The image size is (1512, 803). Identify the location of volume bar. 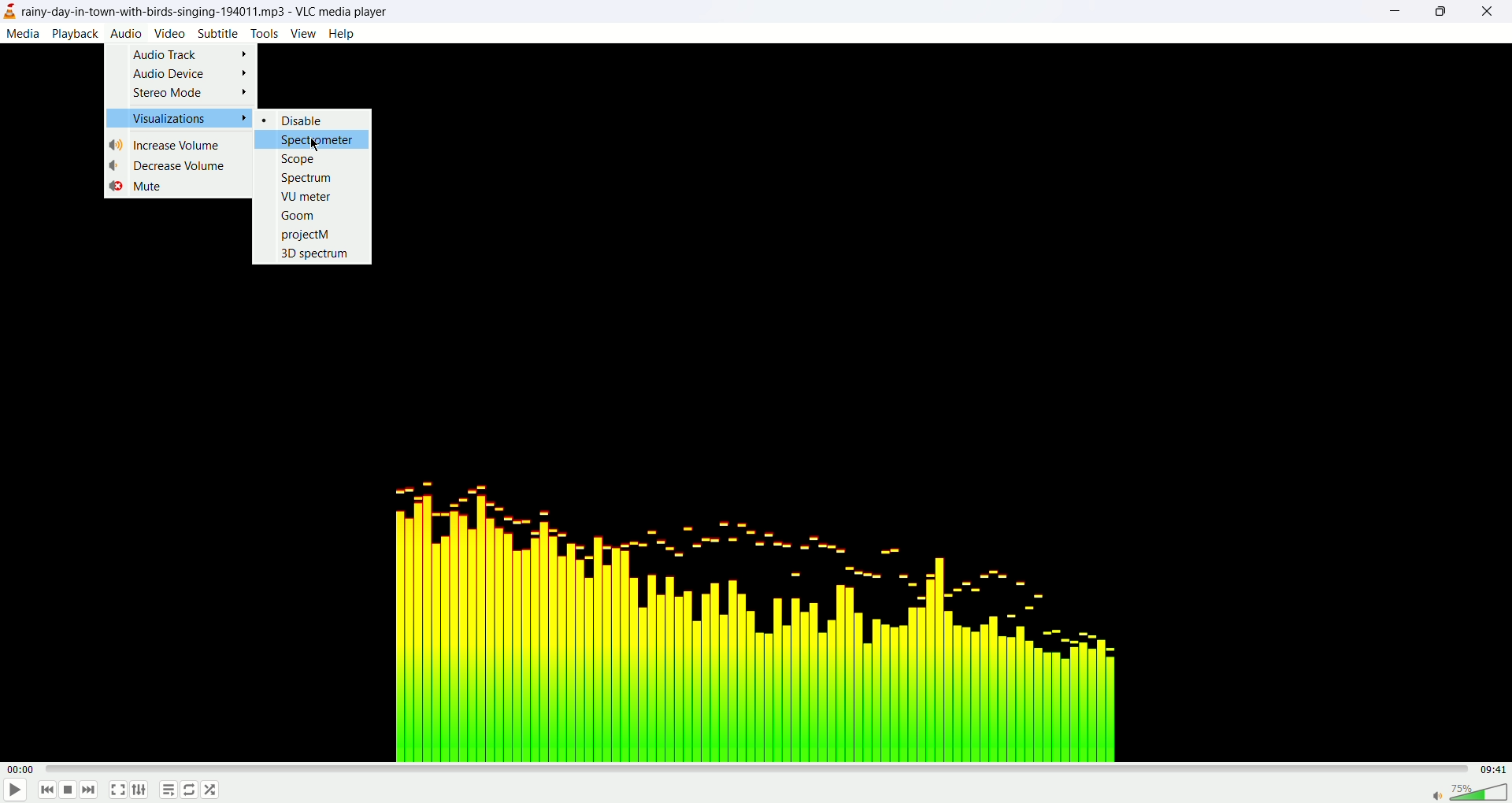
(1470, 791).